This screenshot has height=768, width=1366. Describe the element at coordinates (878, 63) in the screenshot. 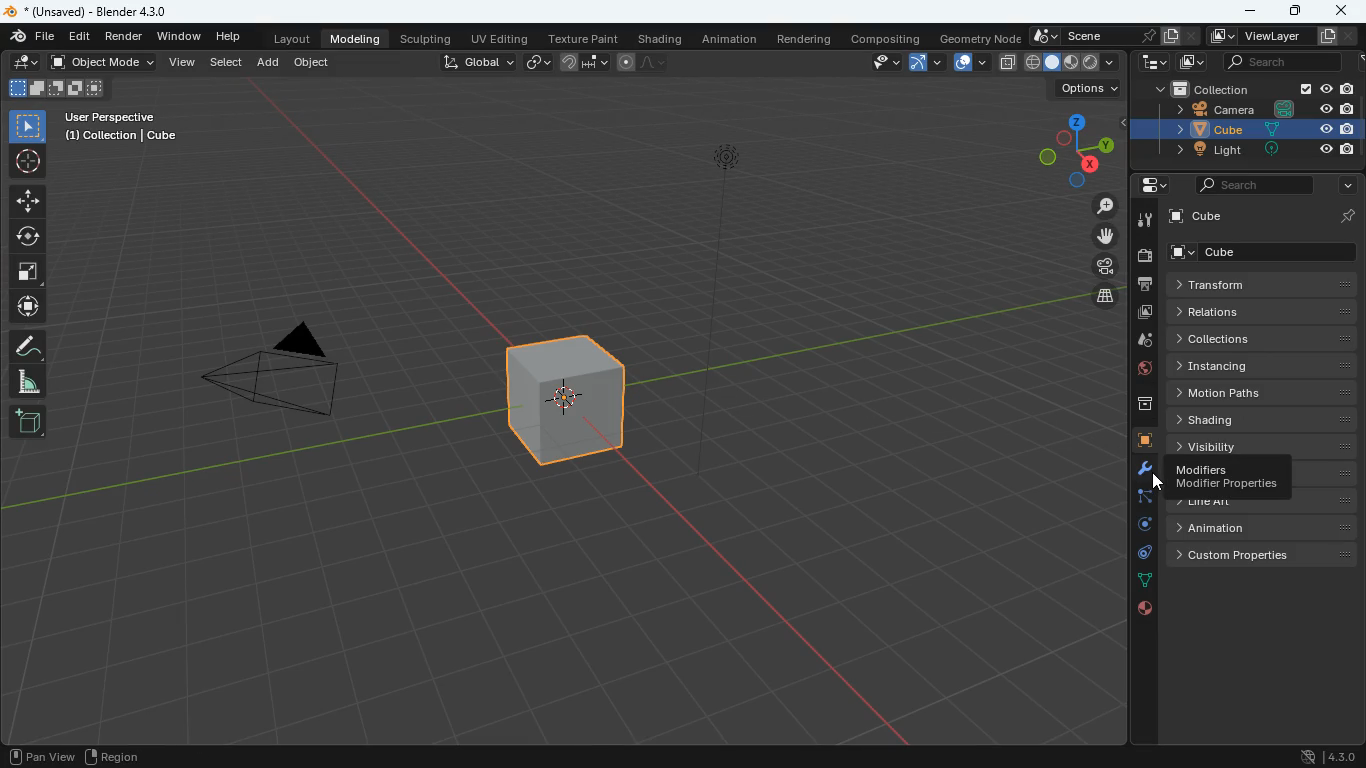

I see `view` at that location.